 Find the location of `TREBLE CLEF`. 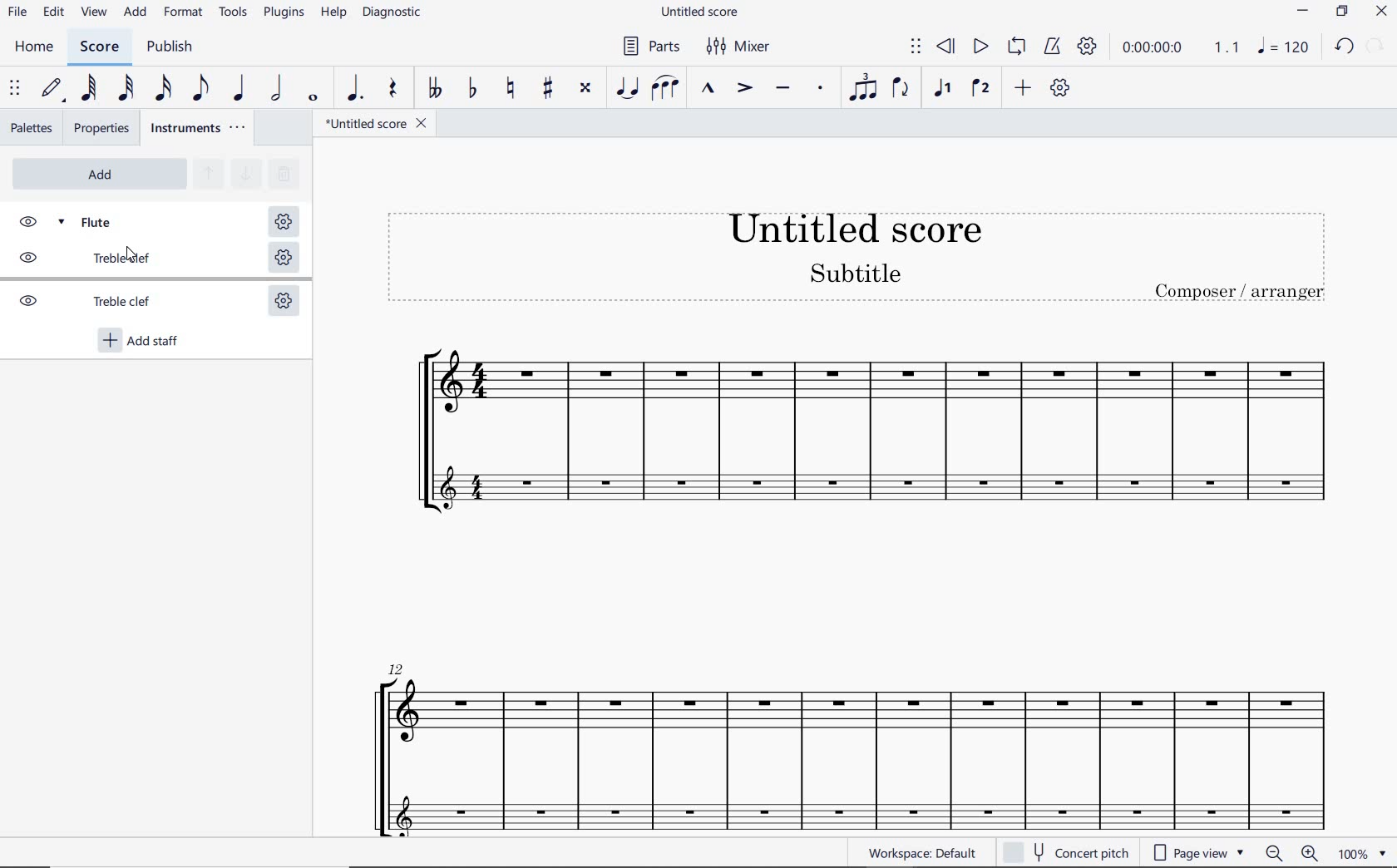

TREBLE CLEF is located at coordinates (102, 303).